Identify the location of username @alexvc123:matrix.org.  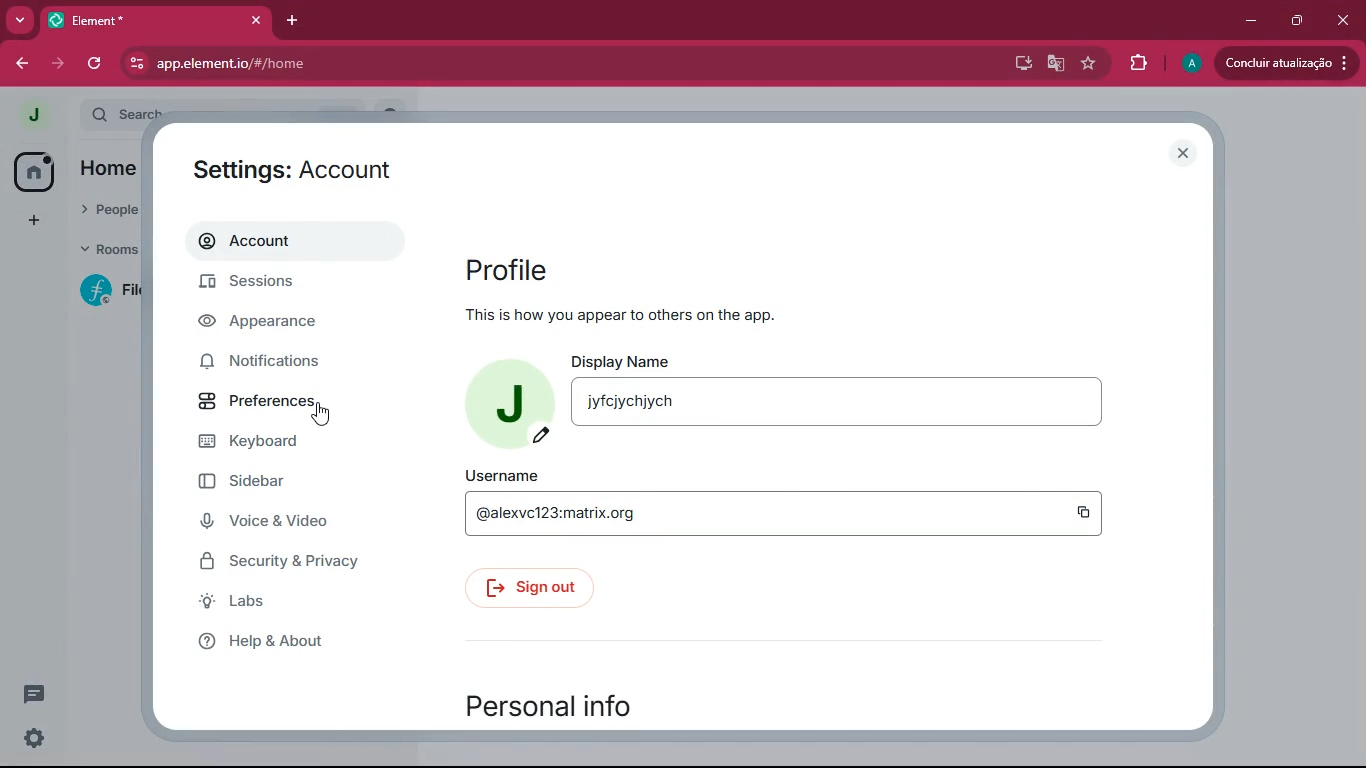
(791, 504).